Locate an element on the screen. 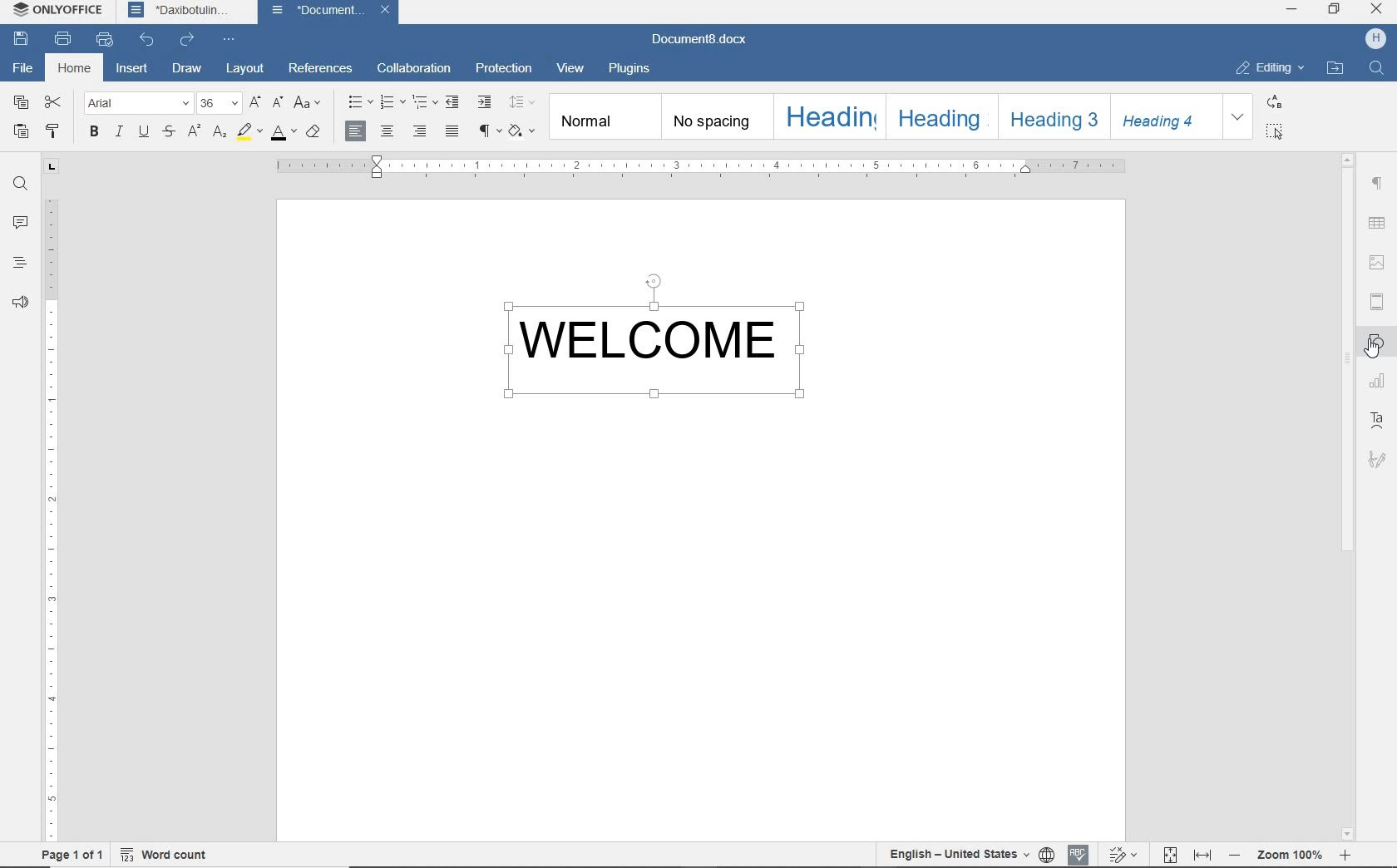 The height and width of the screenshot is (868, 1397). IMAGE is located at coordinates (1378, 262).